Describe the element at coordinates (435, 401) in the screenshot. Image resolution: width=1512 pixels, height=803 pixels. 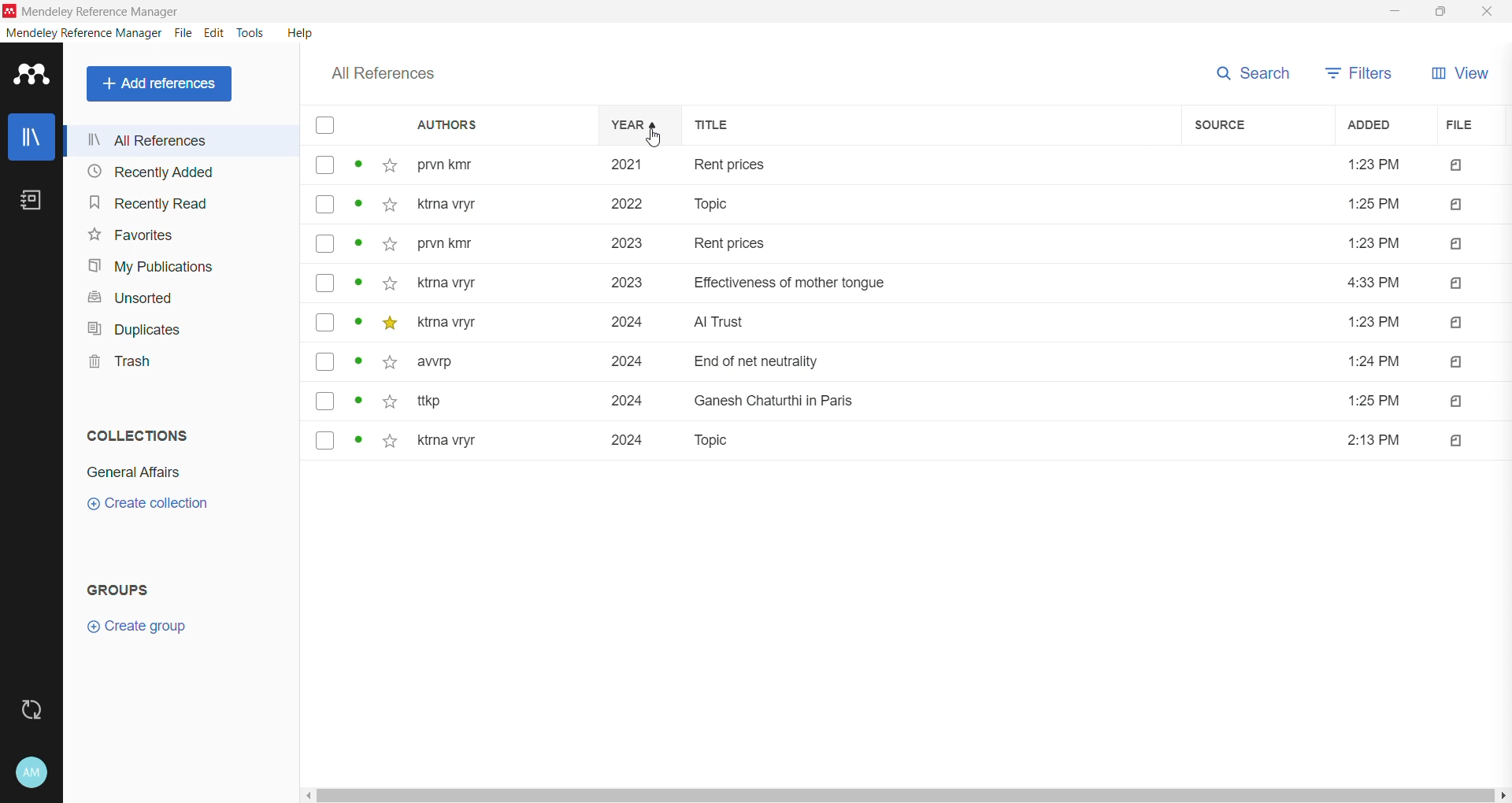
I see `ttkp` at that location.